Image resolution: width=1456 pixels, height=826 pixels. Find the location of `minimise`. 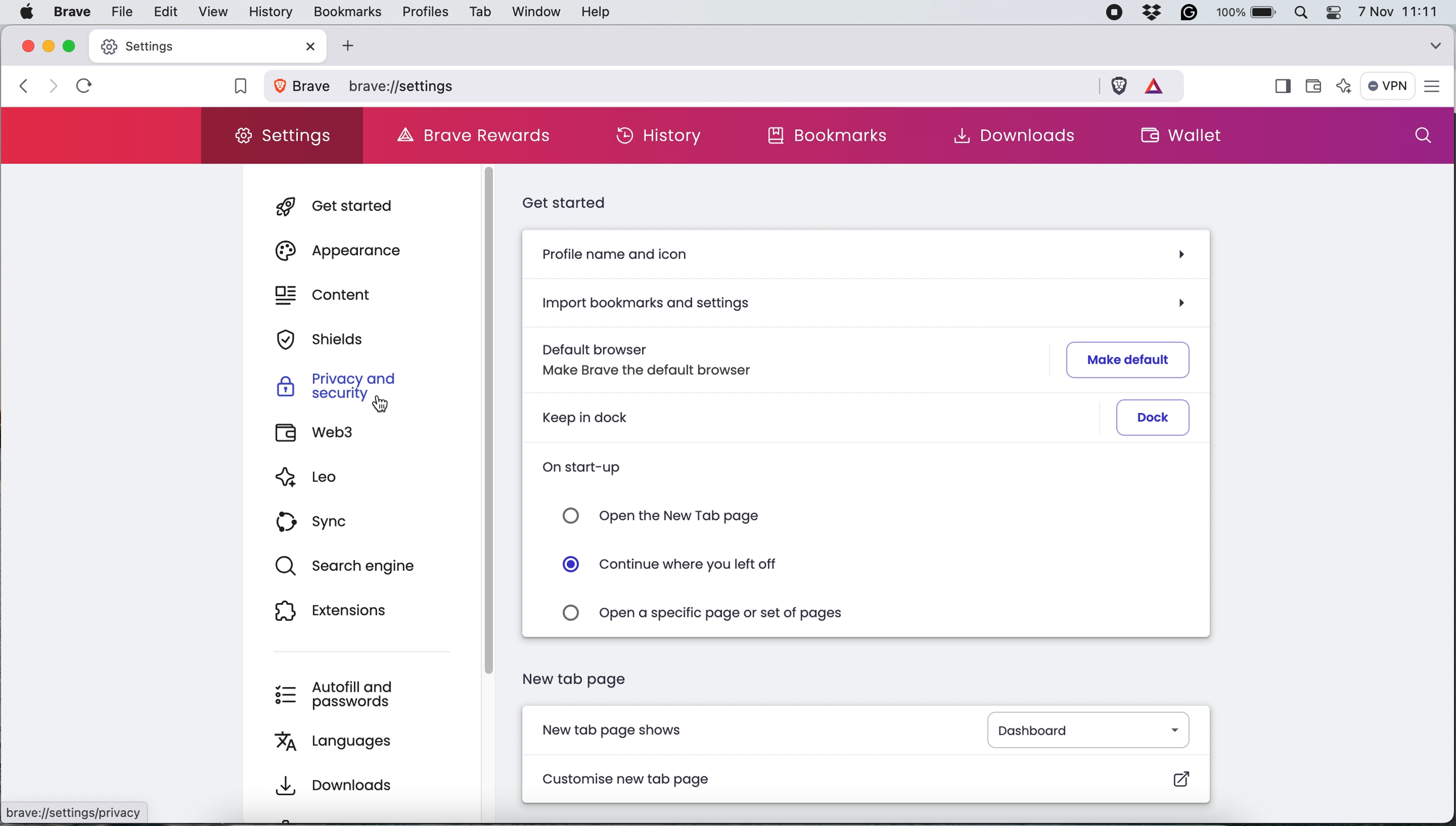

minimise is located at coordinates (49, 45).